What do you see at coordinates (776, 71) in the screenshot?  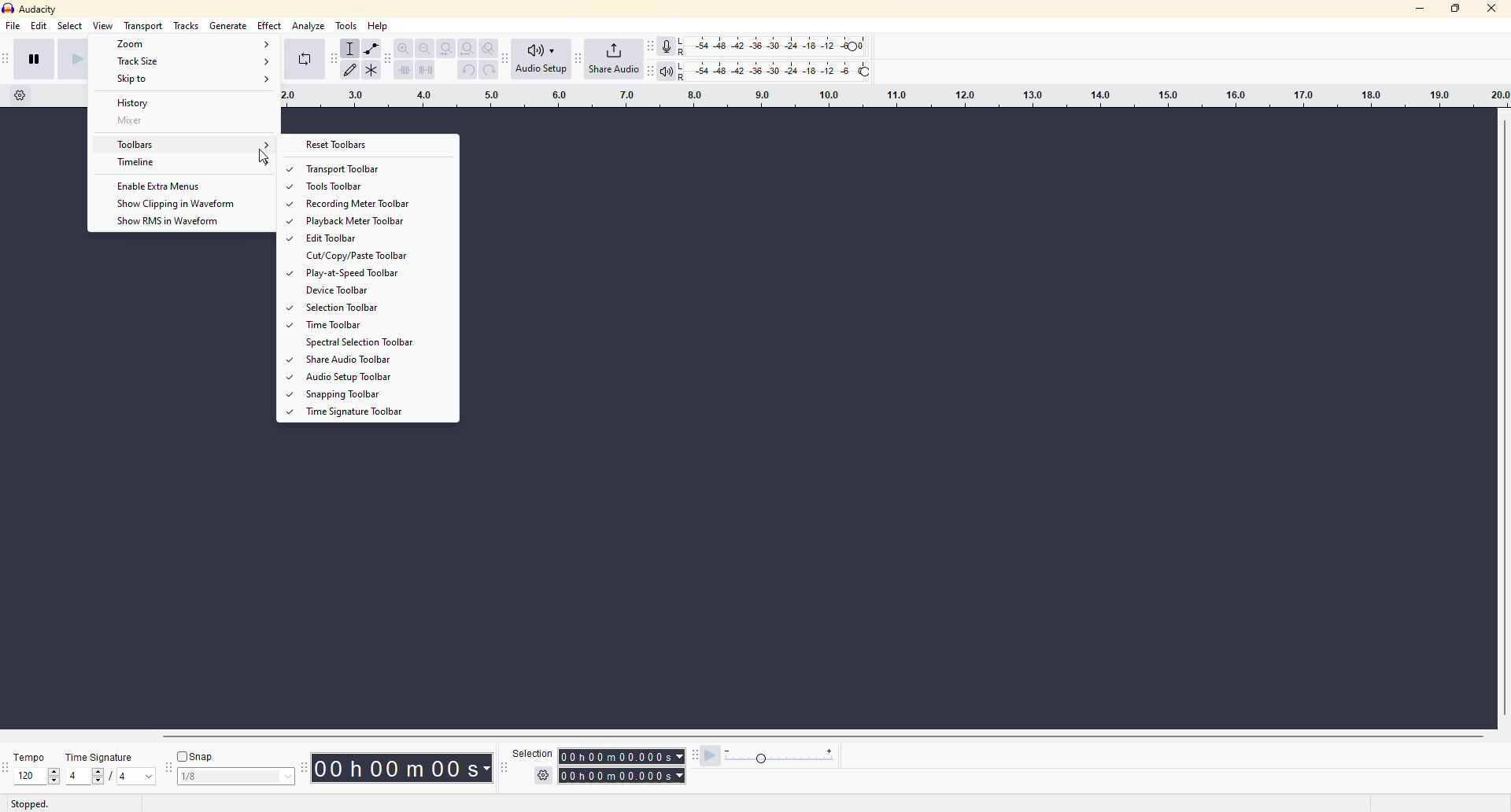 I see `playback level` at bounding box center [776, 71].